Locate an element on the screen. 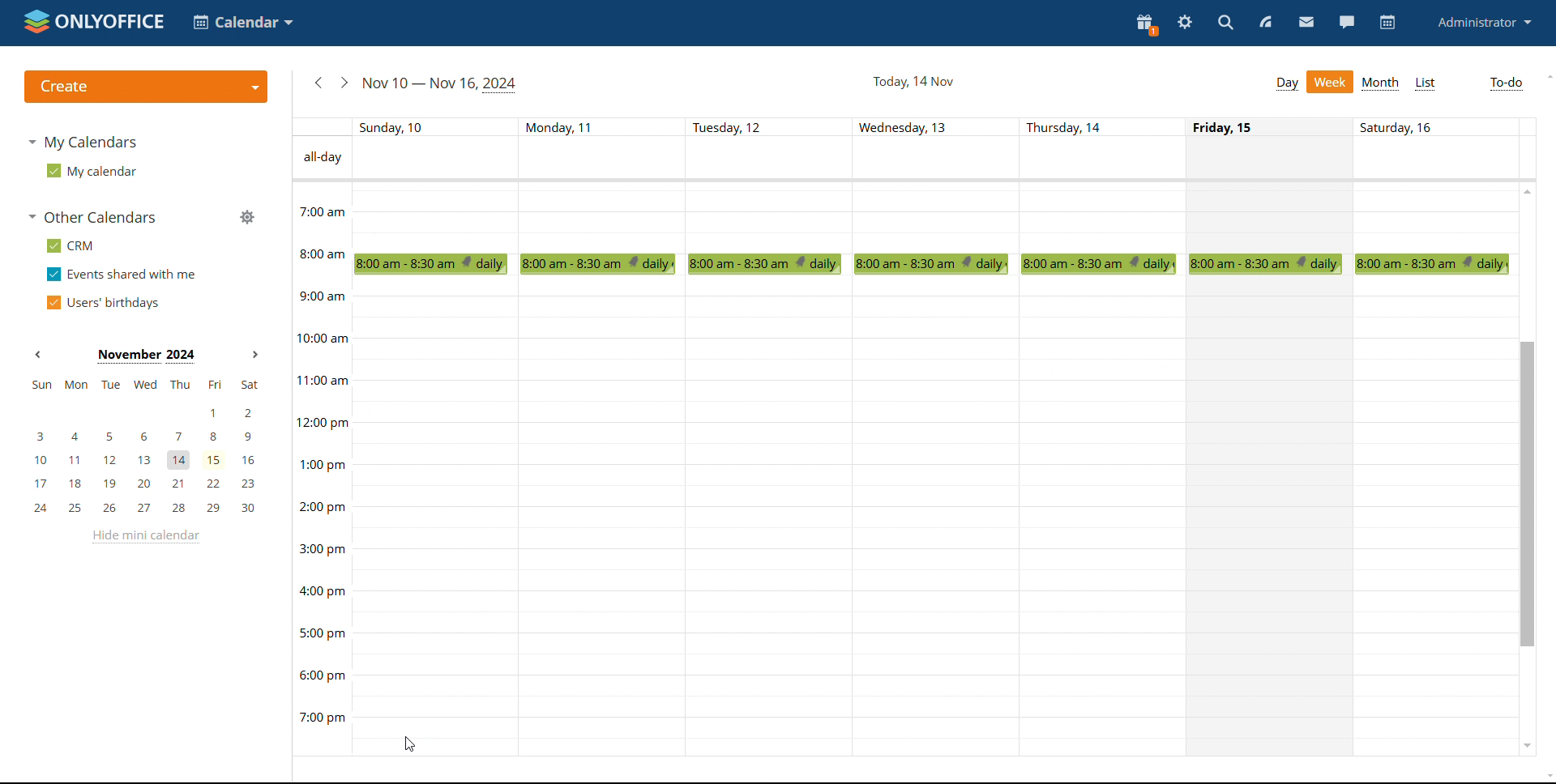 The height and width of the screenshot is (784, 1556). indiviual date is located at coordinates (912, 126).